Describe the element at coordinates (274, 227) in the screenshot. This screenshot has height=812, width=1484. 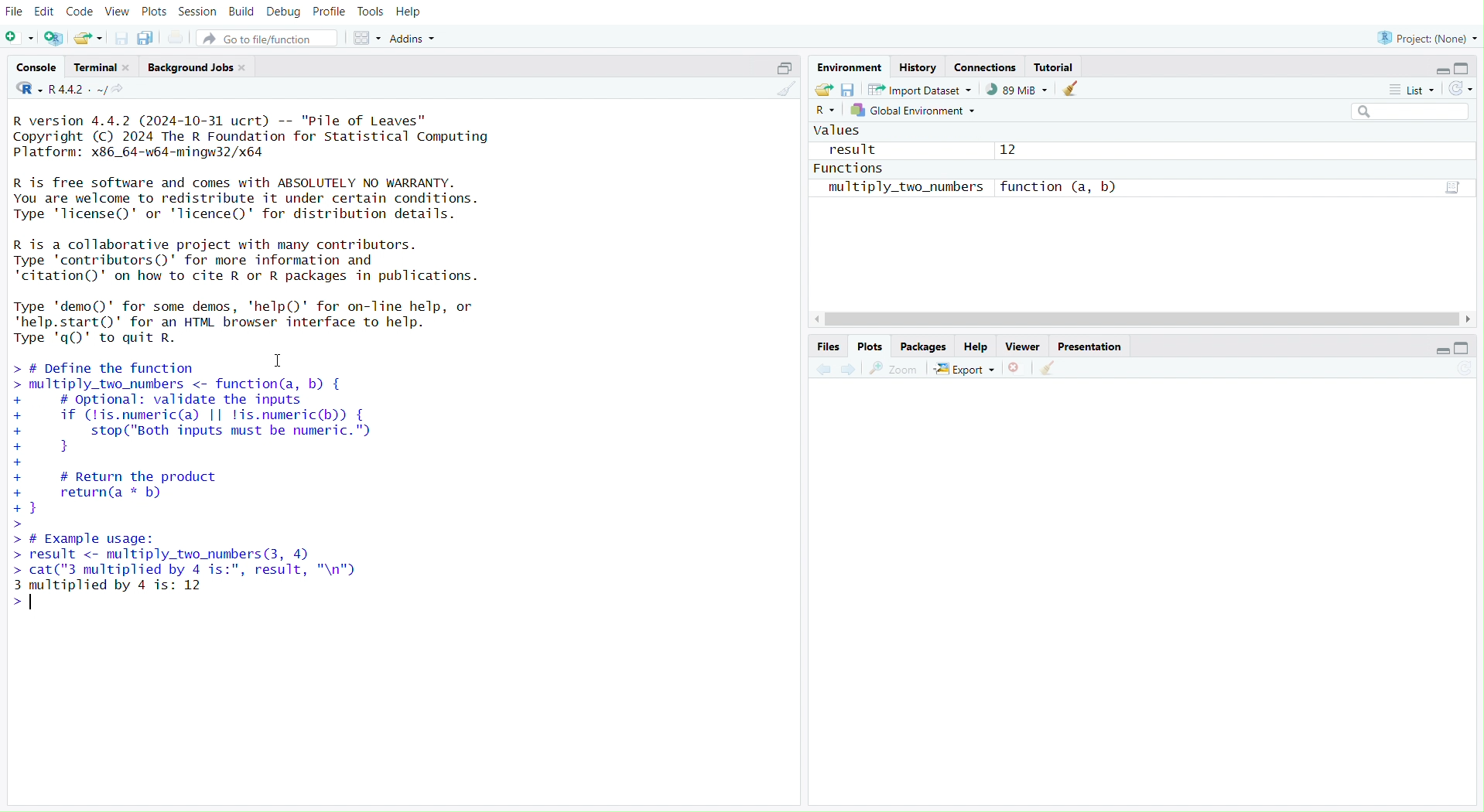
I see `R version 4.4.2 (2024-10-31 ucrt) -- "Pile of Leaves”
Copyright (C) 2024 The R Foundation for Statistical Computing
Platform: x86_64-w64-mingw32/x64

R is free software and comes with ABSOLUTELY NO WARRANTY.
You are welcome to redistribute it under certain conditions.
Type 'license()' or 'licence()' for distribution details.

R is a collaborative project with many contributors.

Type 'contributors()' for more information and

‘citation()' on how to cite R or R packages in publications.
Type 'demo()' for some demos, 'help()' for on-line help, or
'help.start()' for an HTML browser interface to help.

Type 'qQ)' to quit R.

NY I` at that location.